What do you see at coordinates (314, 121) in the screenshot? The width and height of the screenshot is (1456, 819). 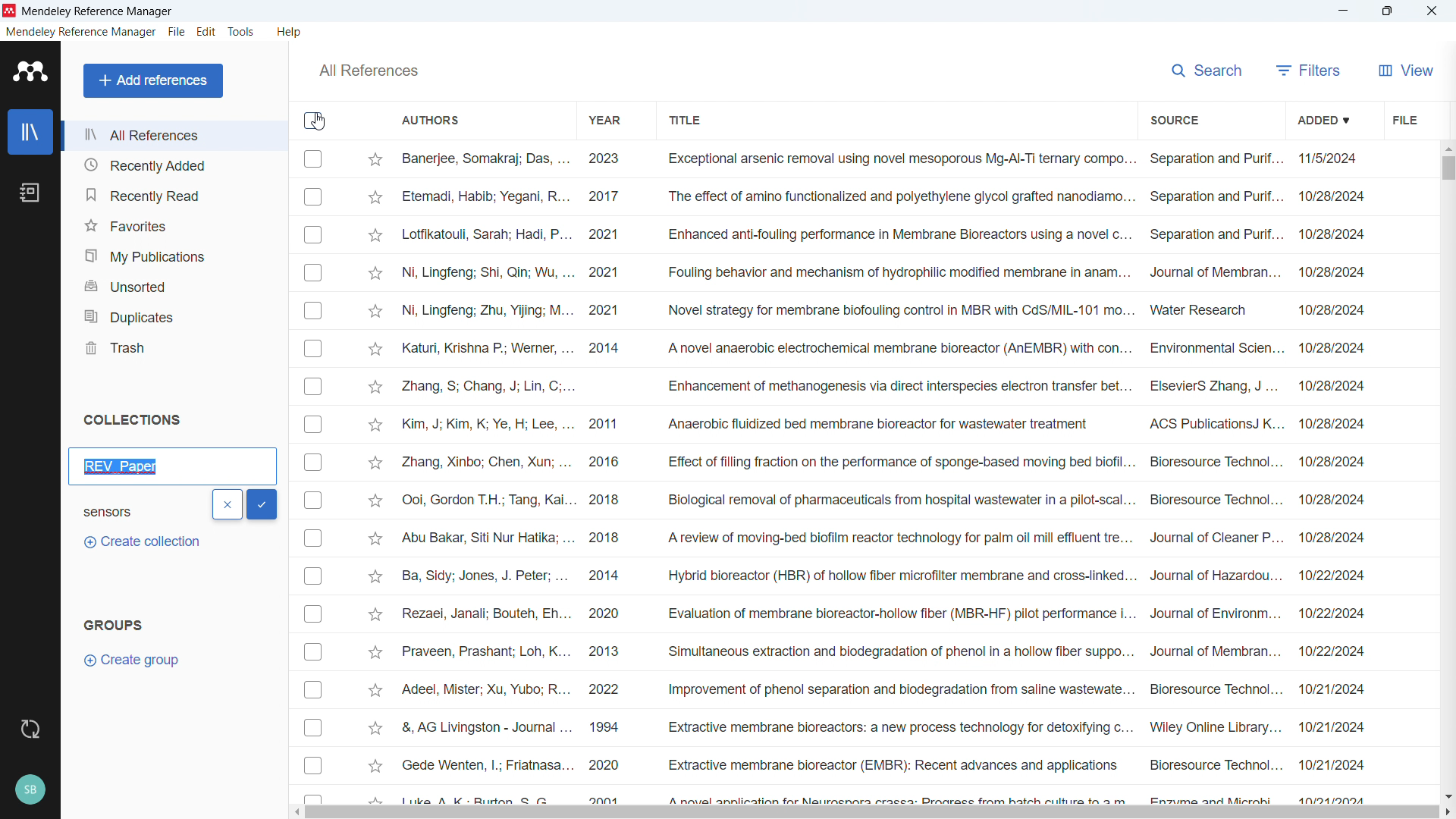 I see `Select all entries ` at bounding box center [314, 121].